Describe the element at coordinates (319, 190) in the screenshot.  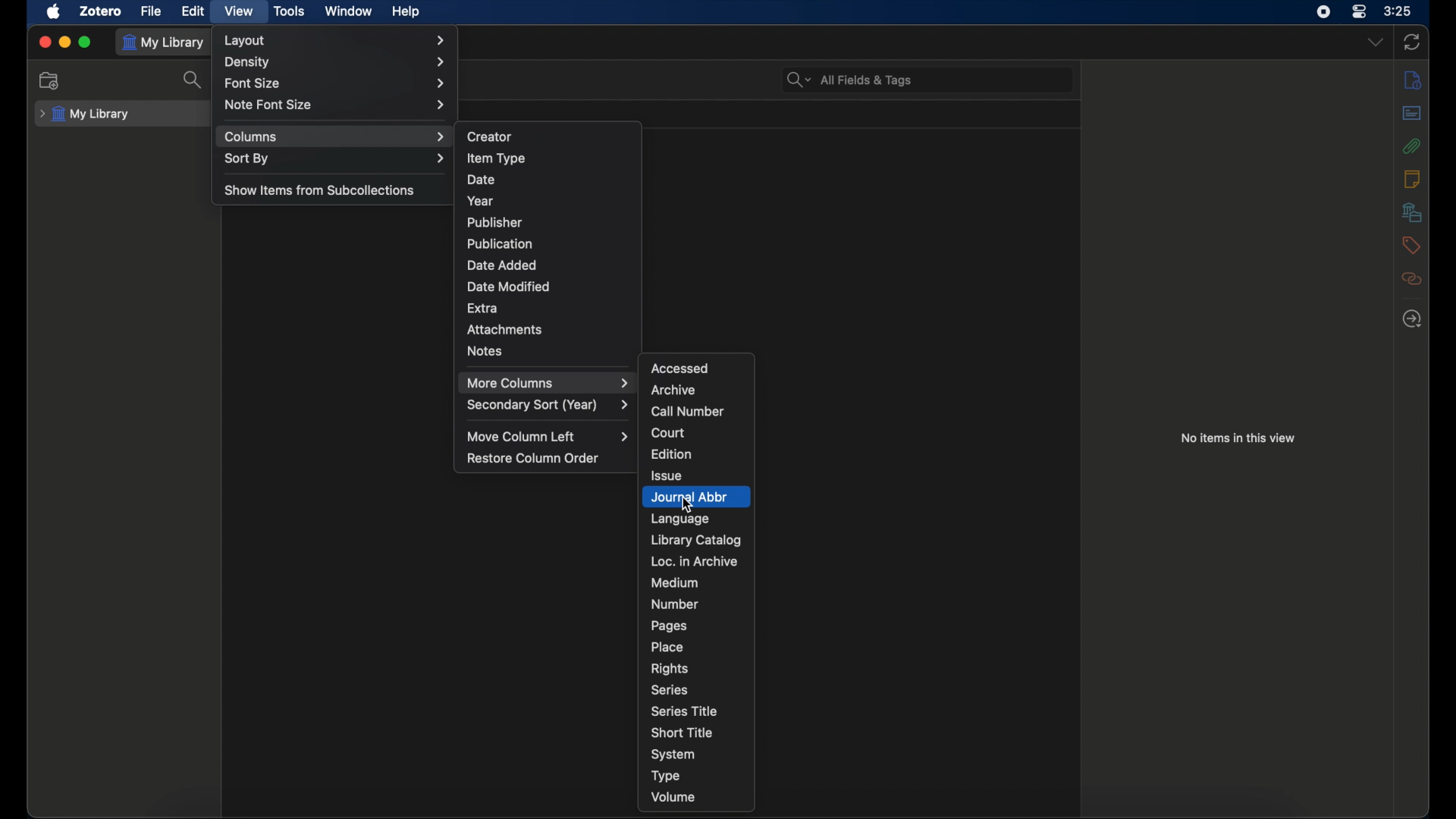
I see `show items from subcollections` at that location.